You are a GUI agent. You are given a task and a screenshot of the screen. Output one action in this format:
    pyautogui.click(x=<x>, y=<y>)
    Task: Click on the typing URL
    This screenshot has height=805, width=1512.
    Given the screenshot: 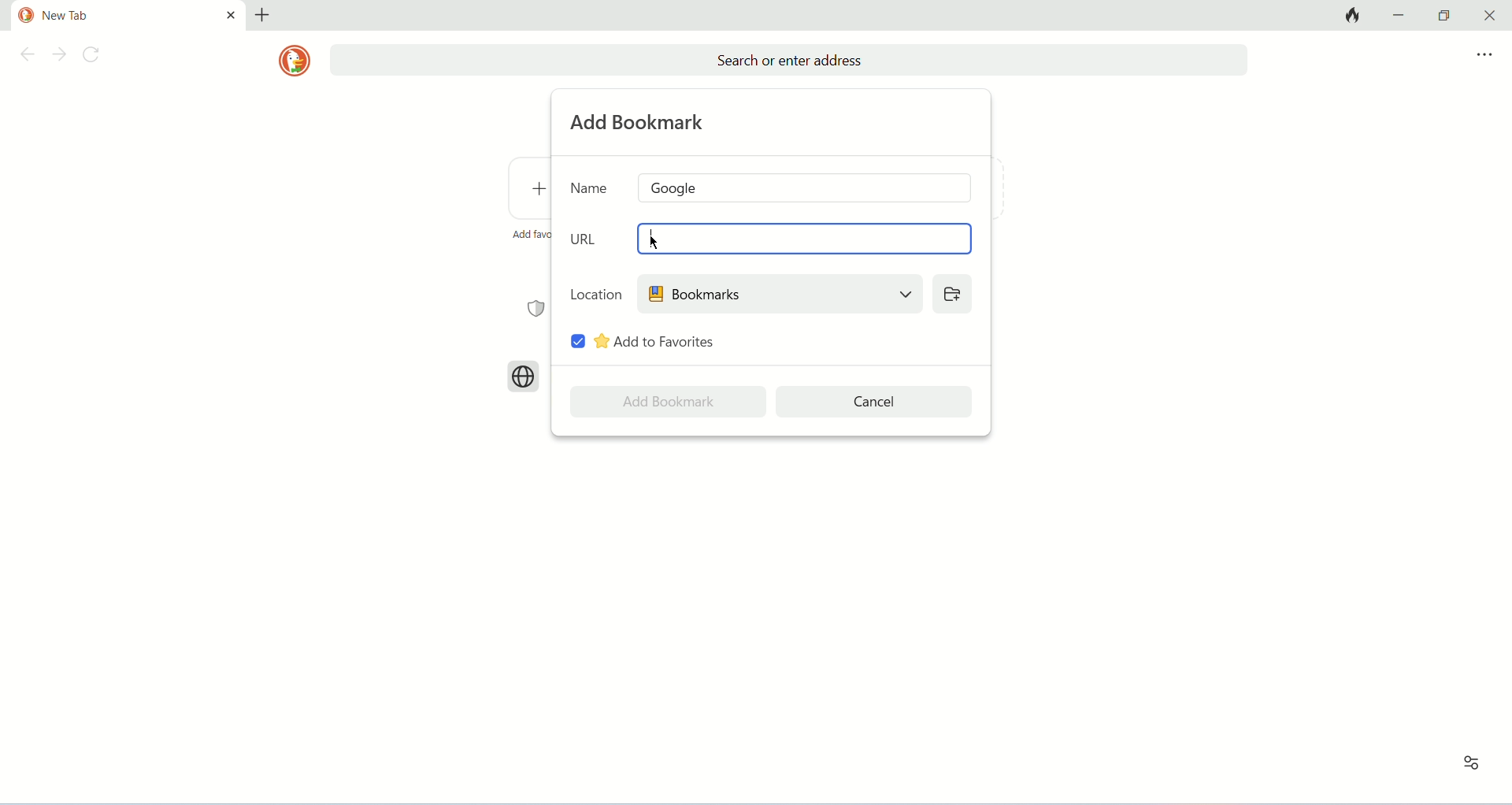 What is the action you would take?
    pyautogui.click(x=650, y=237)
    